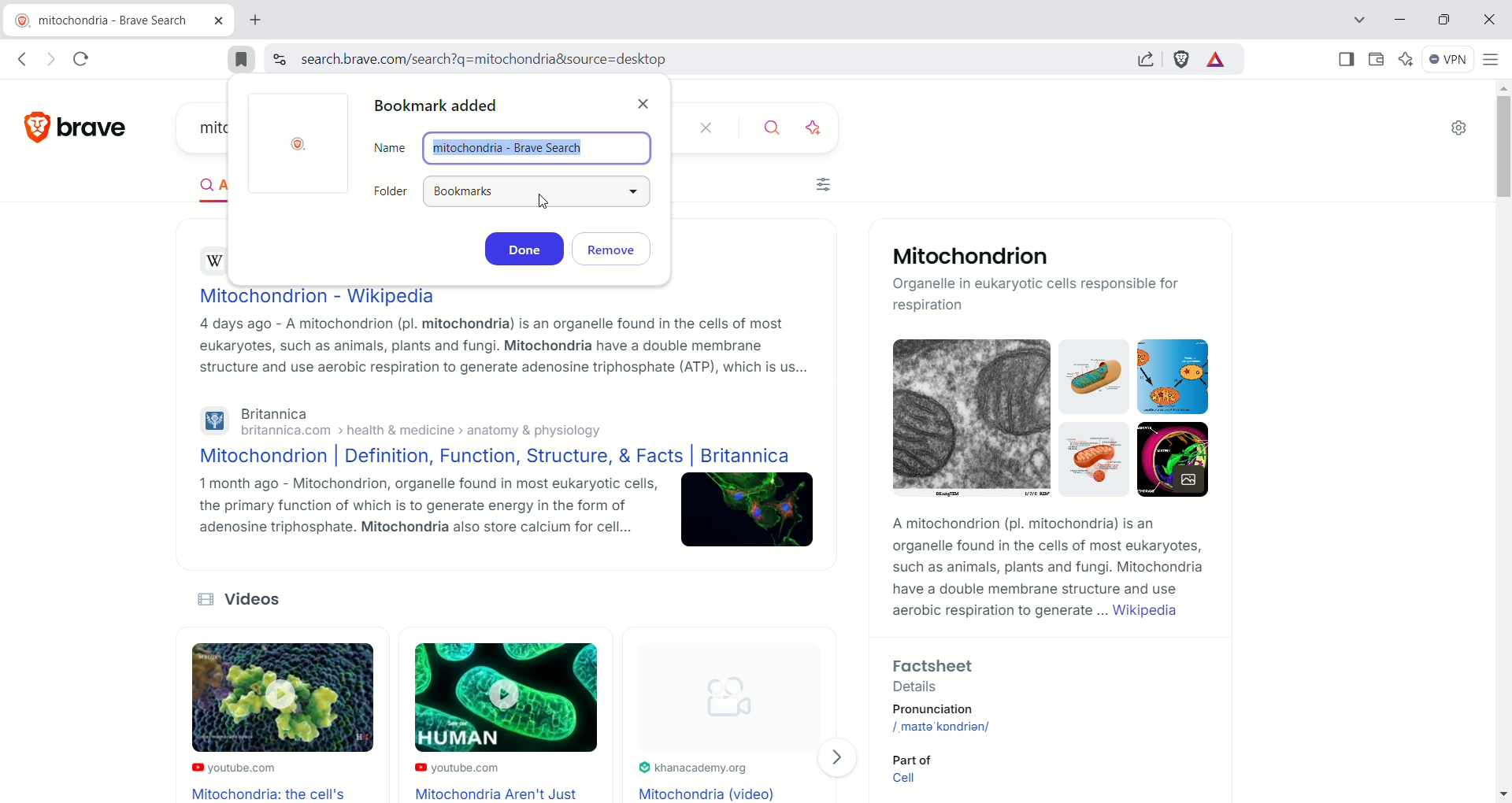 Image resolution: width=1512 pixels, height=803 pixels. Describe the element at coordinates (490, 457) in the screenshot. I see `Mitochondrion | Definition, Function, Structure, & Facts | Britannica` at that location.